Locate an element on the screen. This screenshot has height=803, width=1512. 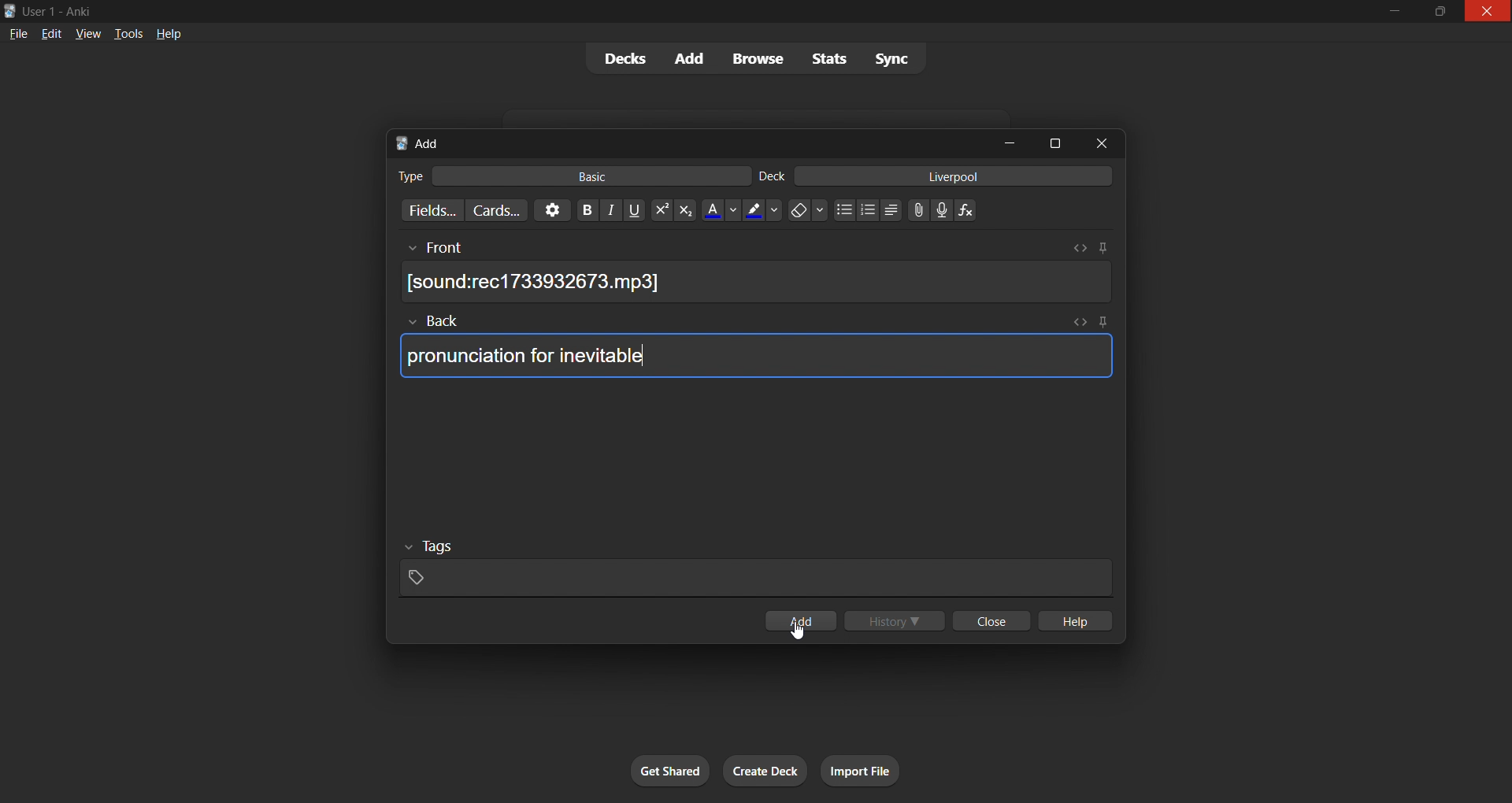
tools is located at coordinates (128, 35).